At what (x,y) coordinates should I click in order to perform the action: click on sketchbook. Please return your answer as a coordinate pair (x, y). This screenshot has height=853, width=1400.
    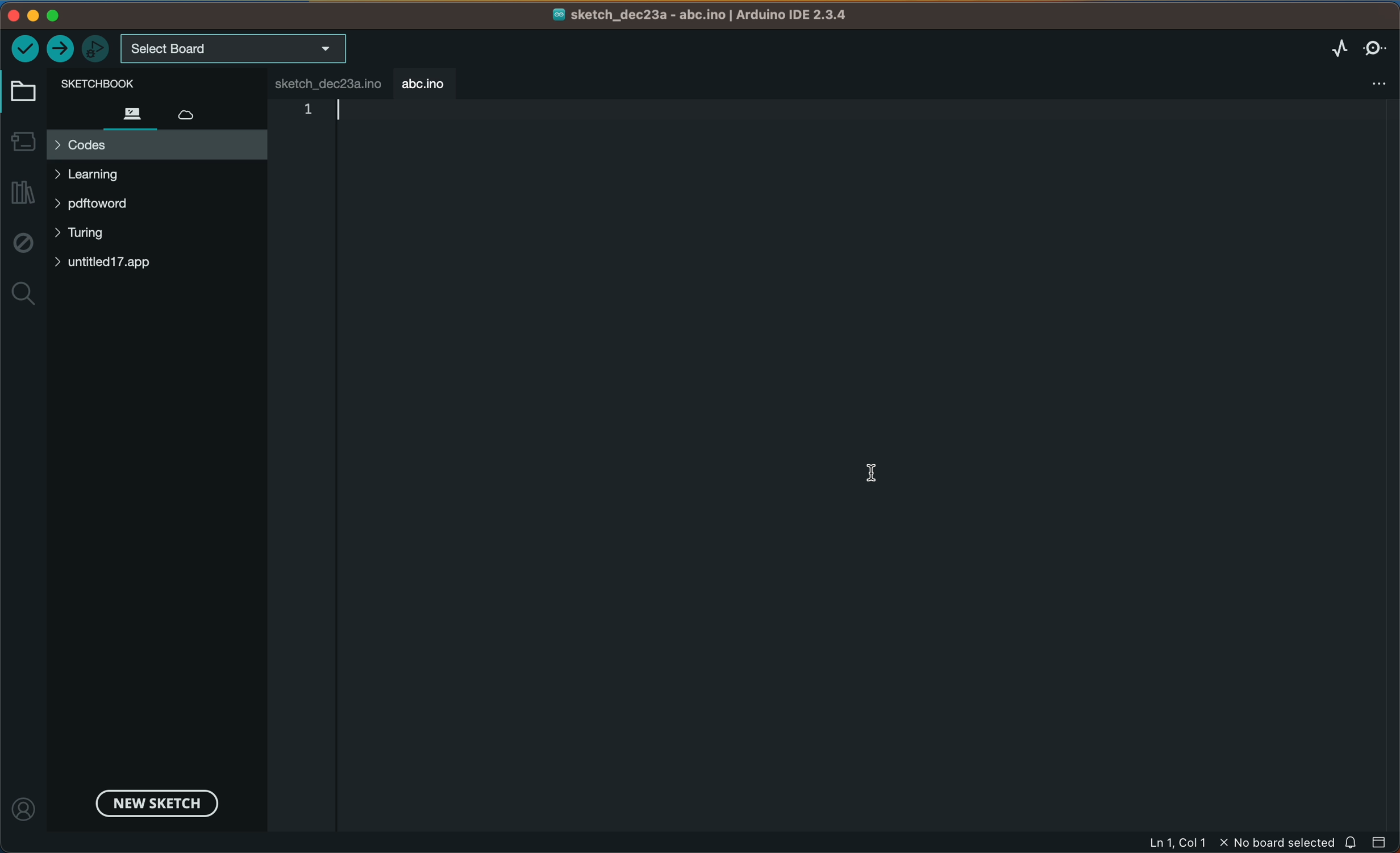
    Looking at the image, I should click on (140, 82).